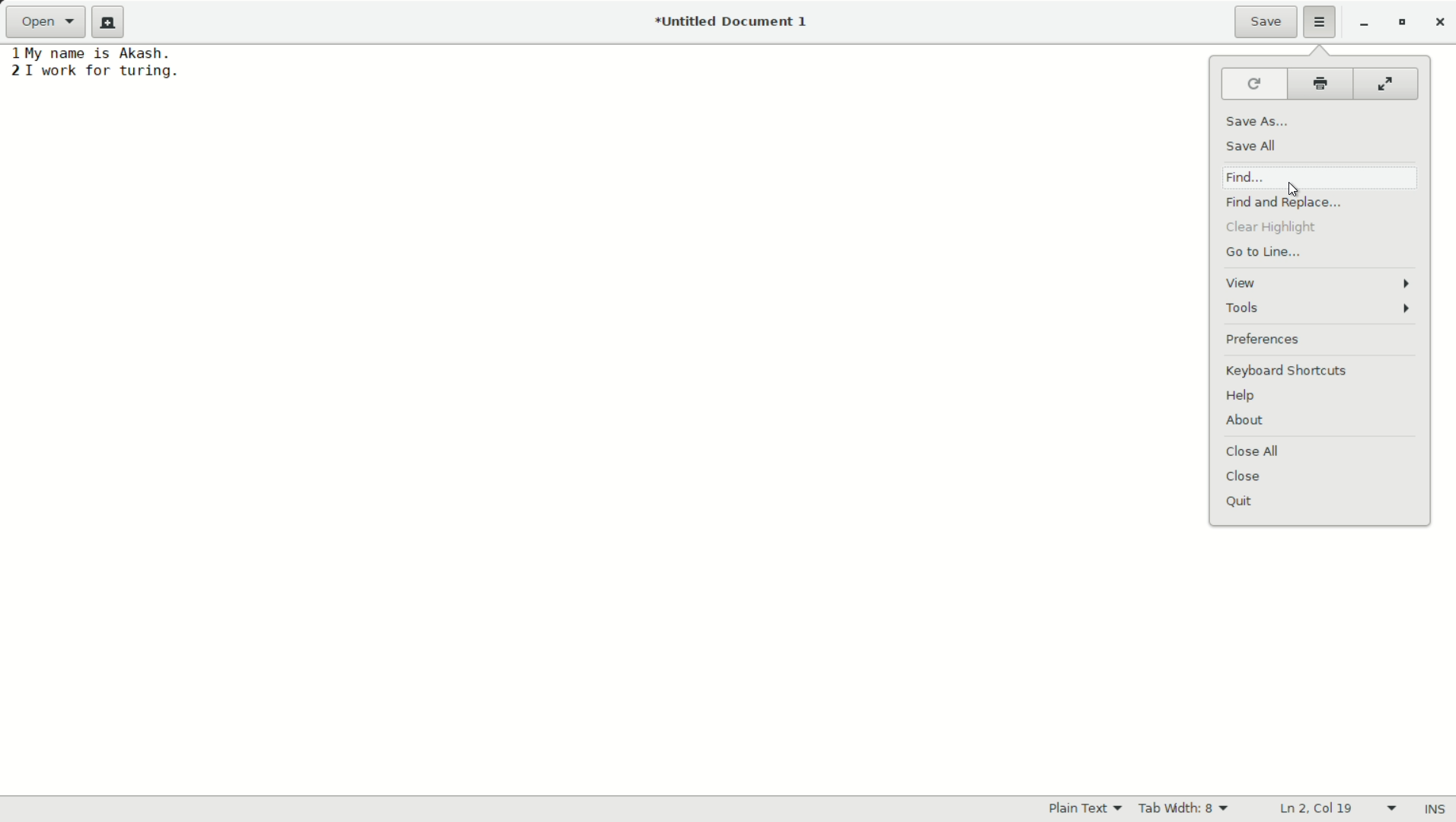  I want to click on help, so click(1240, 397).